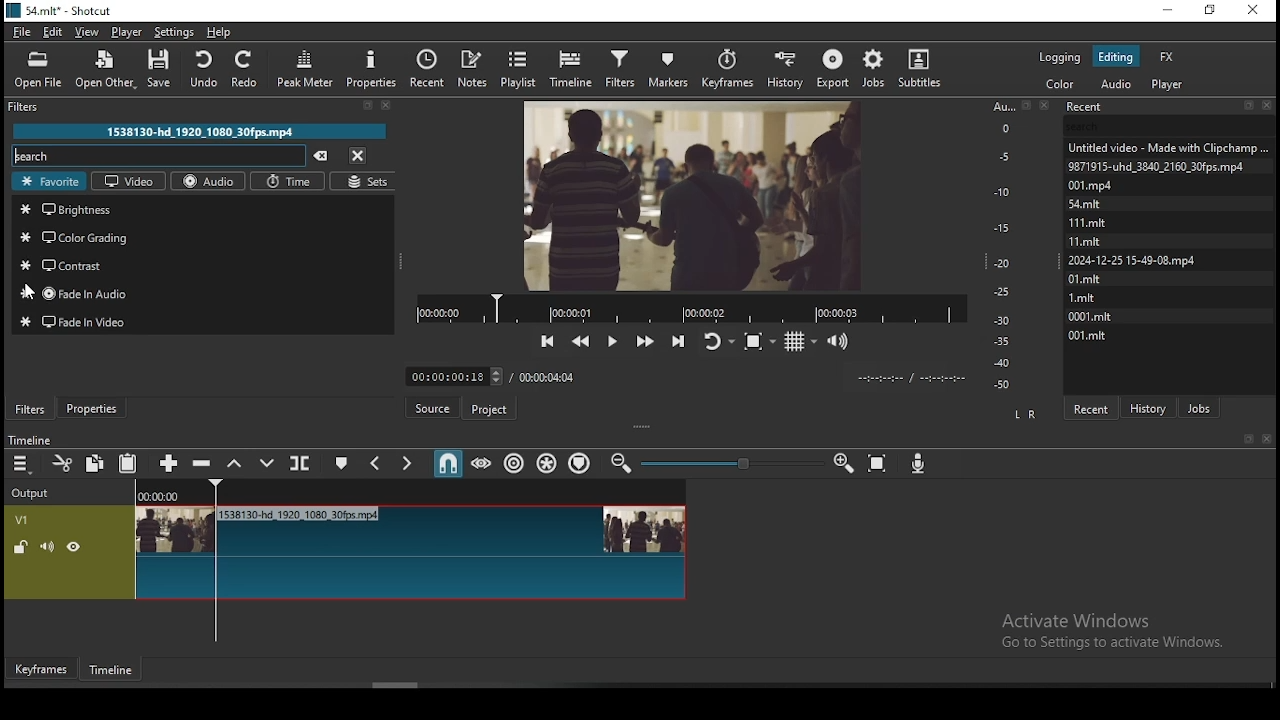  I want to click on play/pause, so click(611, 343).